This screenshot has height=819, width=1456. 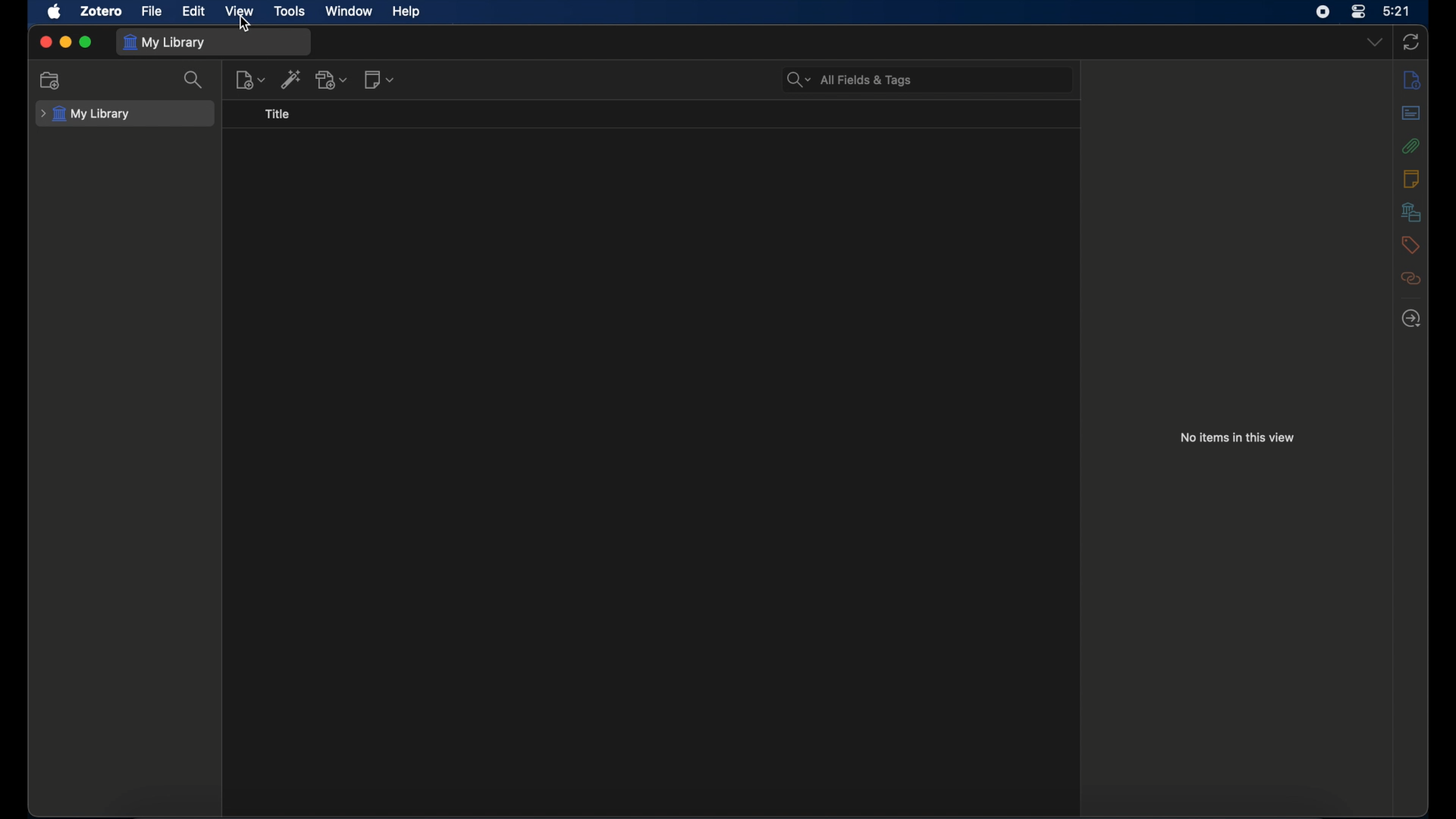 I want to click on apple icon, so click(x=54, y=11).